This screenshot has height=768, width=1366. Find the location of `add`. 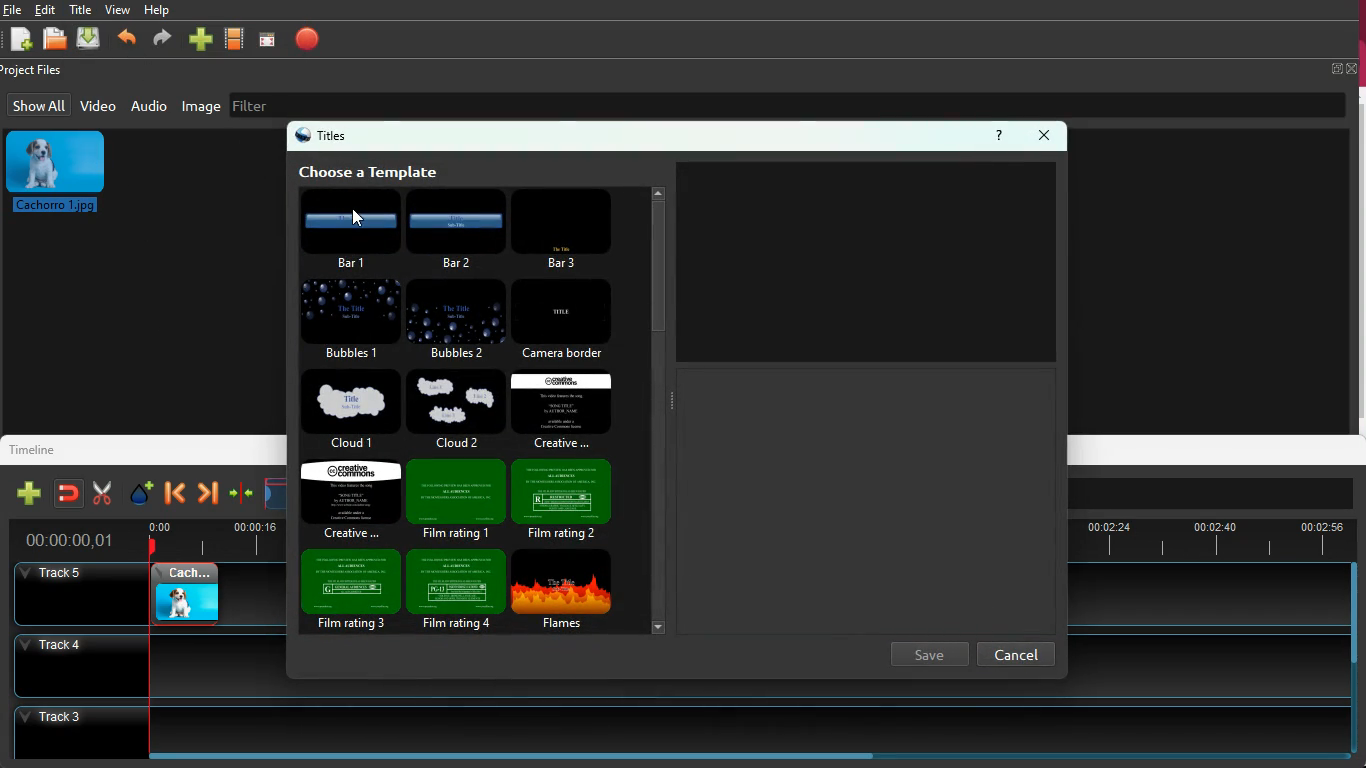

add is located at coordinates (25, 494).